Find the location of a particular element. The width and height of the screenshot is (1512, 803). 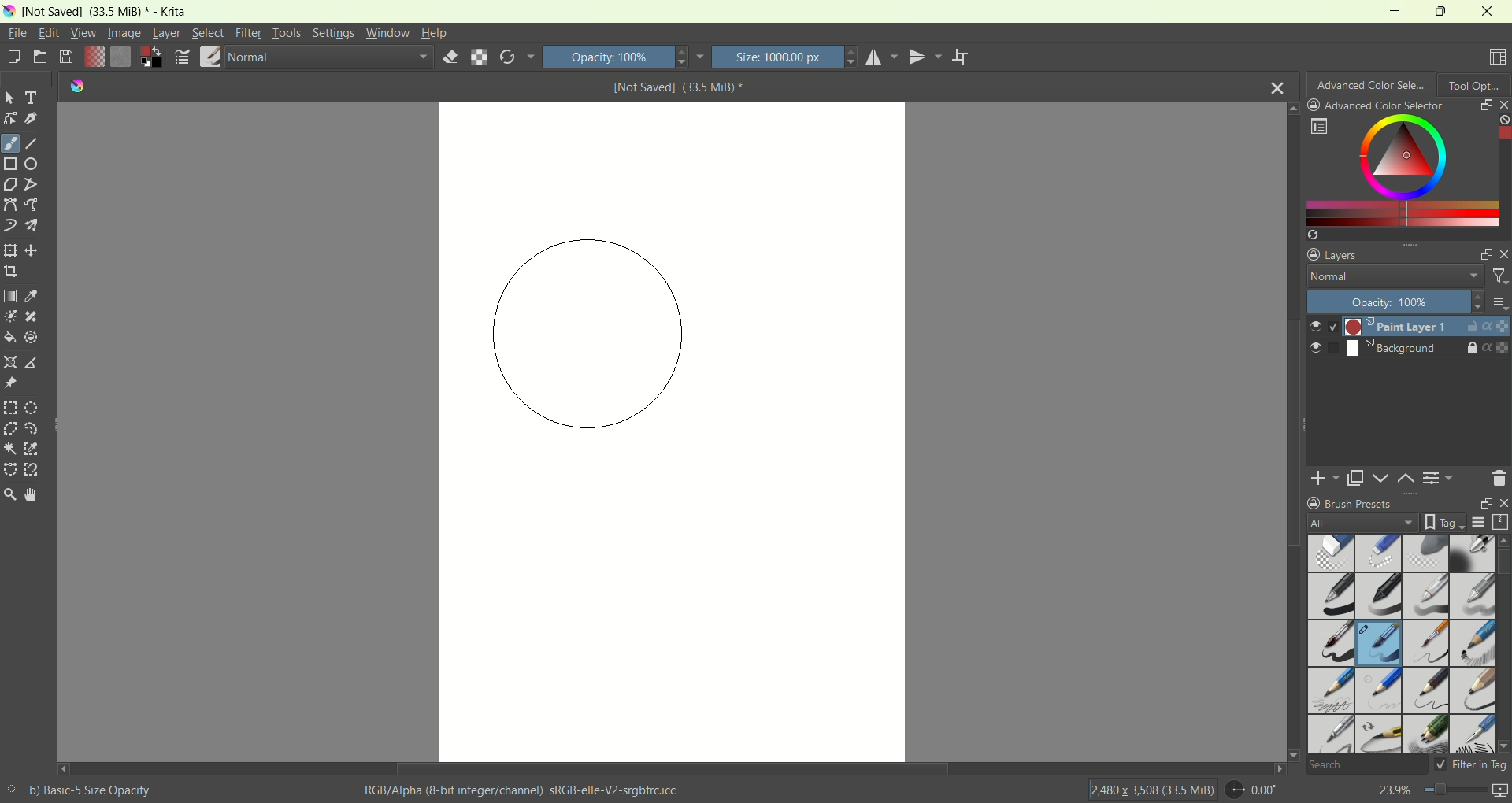

b) Basic-5 Size Opacity is located at coordinates (81, 789).